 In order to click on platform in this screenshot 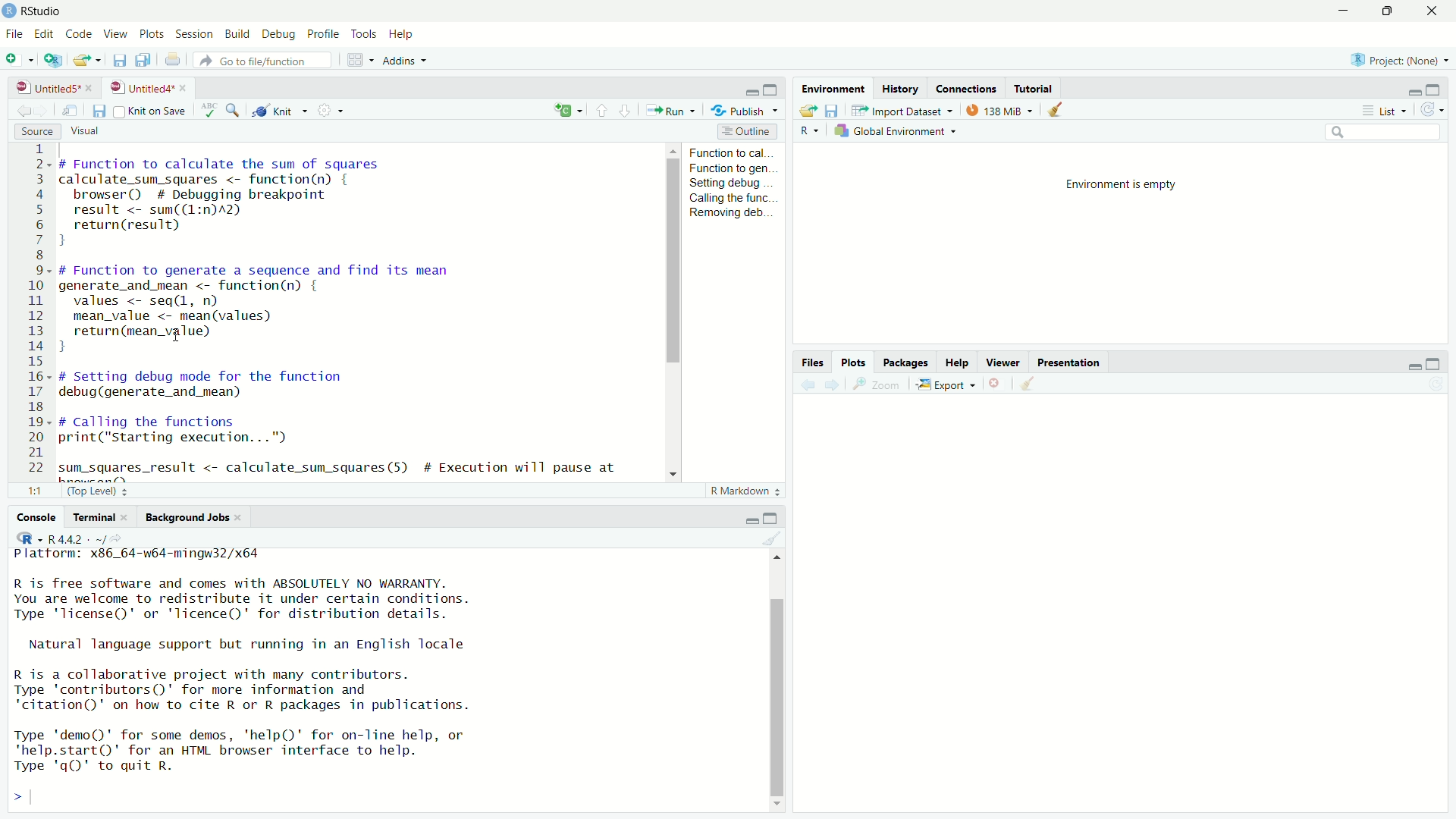, I will do `click(136, 557)`.